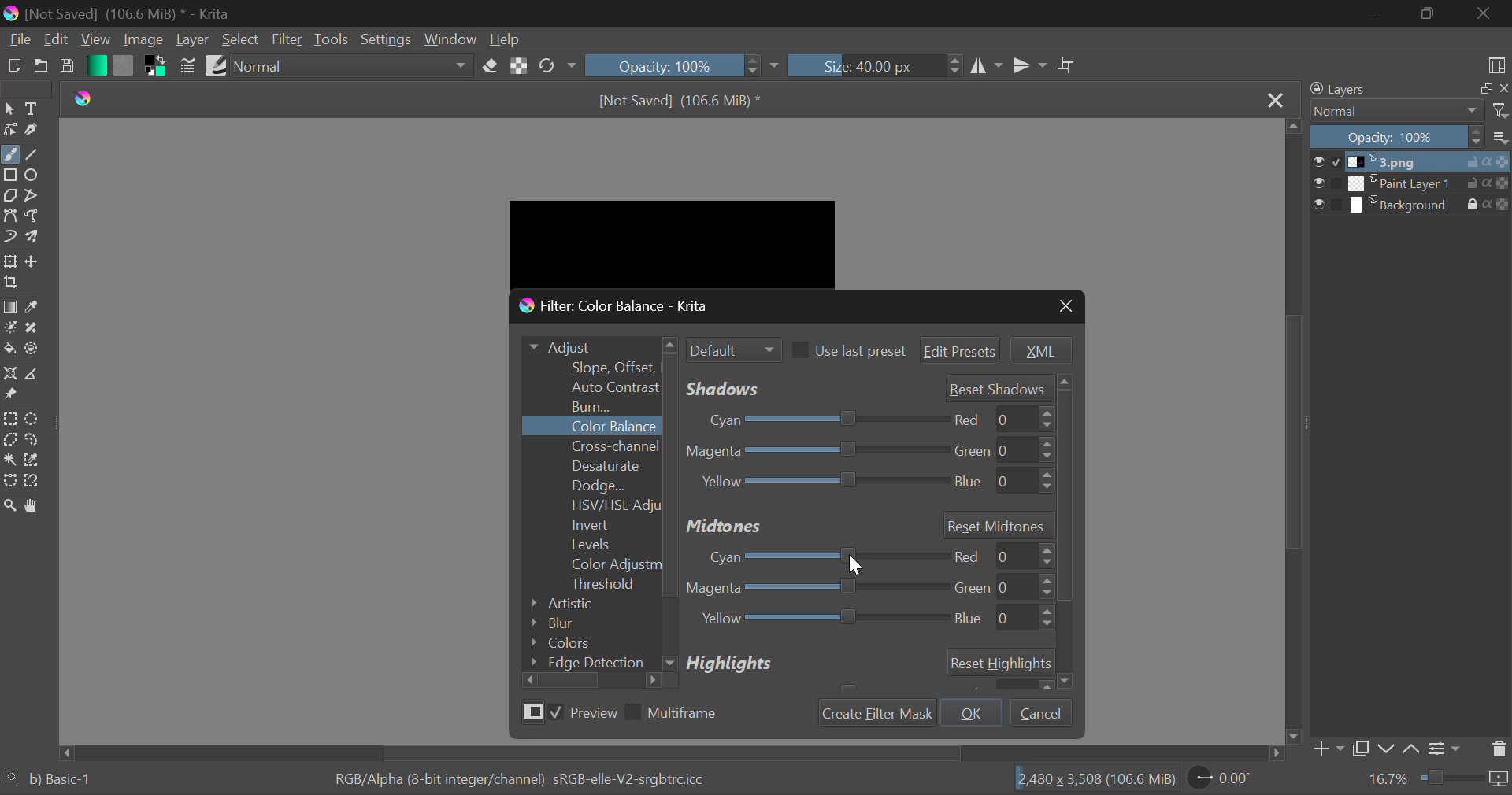 This screenshot has height=795, width=1512. I want to click on RGB/Alpha (8-bit integer/channel) sRGB-elle-V2-srgbtrc.icc, so click(532, 780).